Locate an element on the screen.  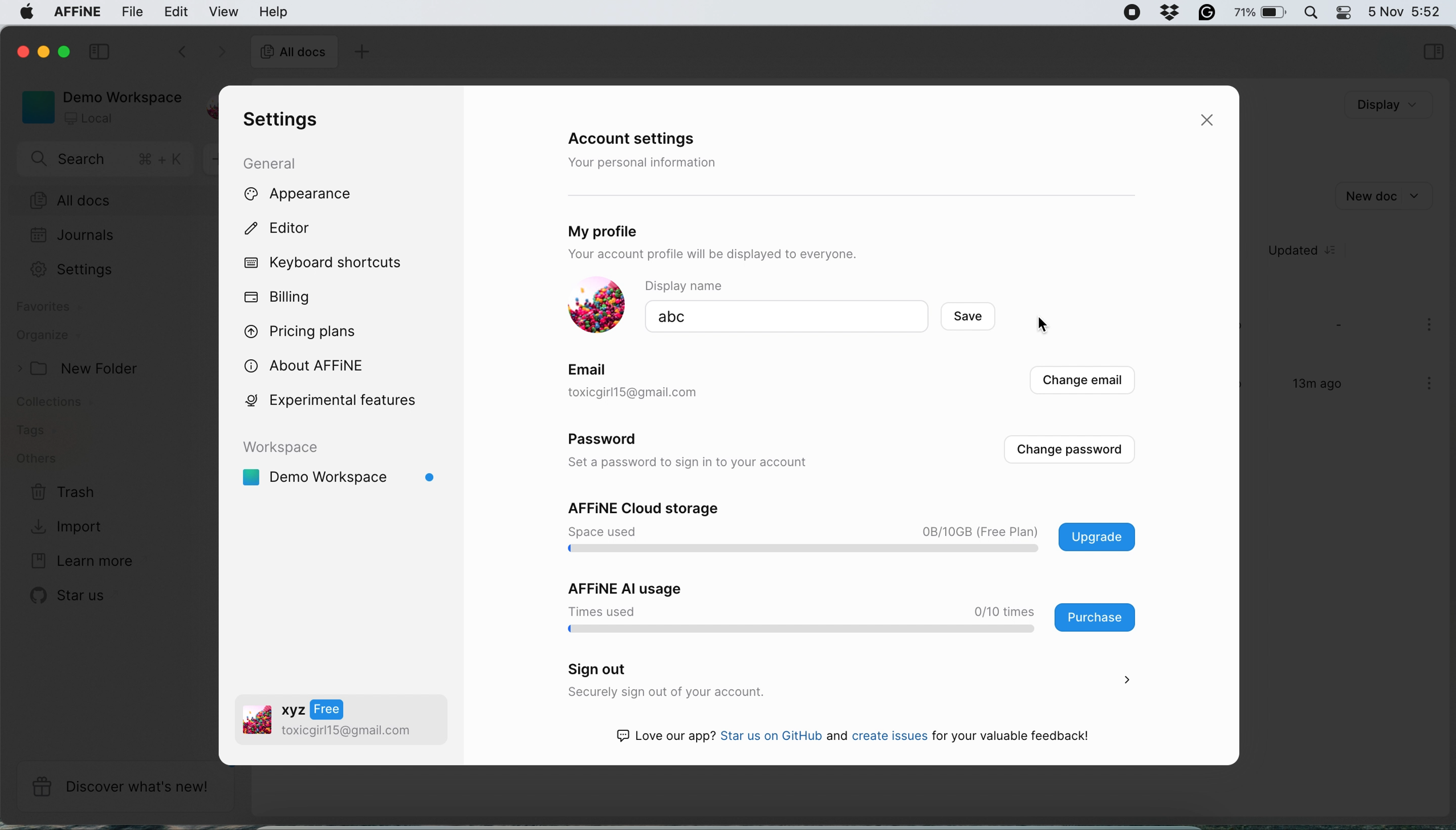
general is located at coordinates (280, 162).